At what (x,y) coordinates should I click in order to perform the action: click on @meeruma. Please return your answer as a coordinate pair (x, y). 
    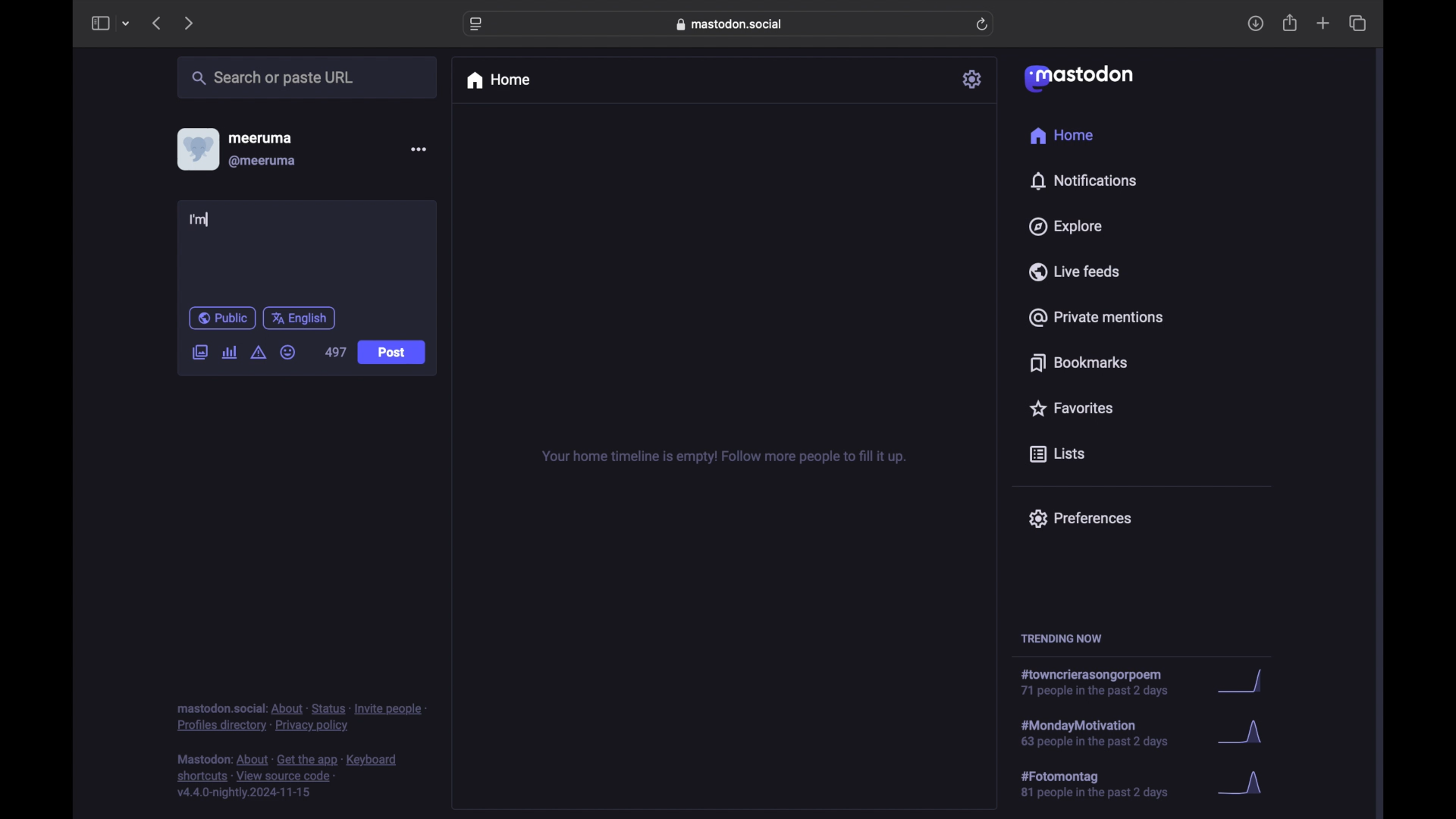
    Looking at the image, I should click on (264, 162).